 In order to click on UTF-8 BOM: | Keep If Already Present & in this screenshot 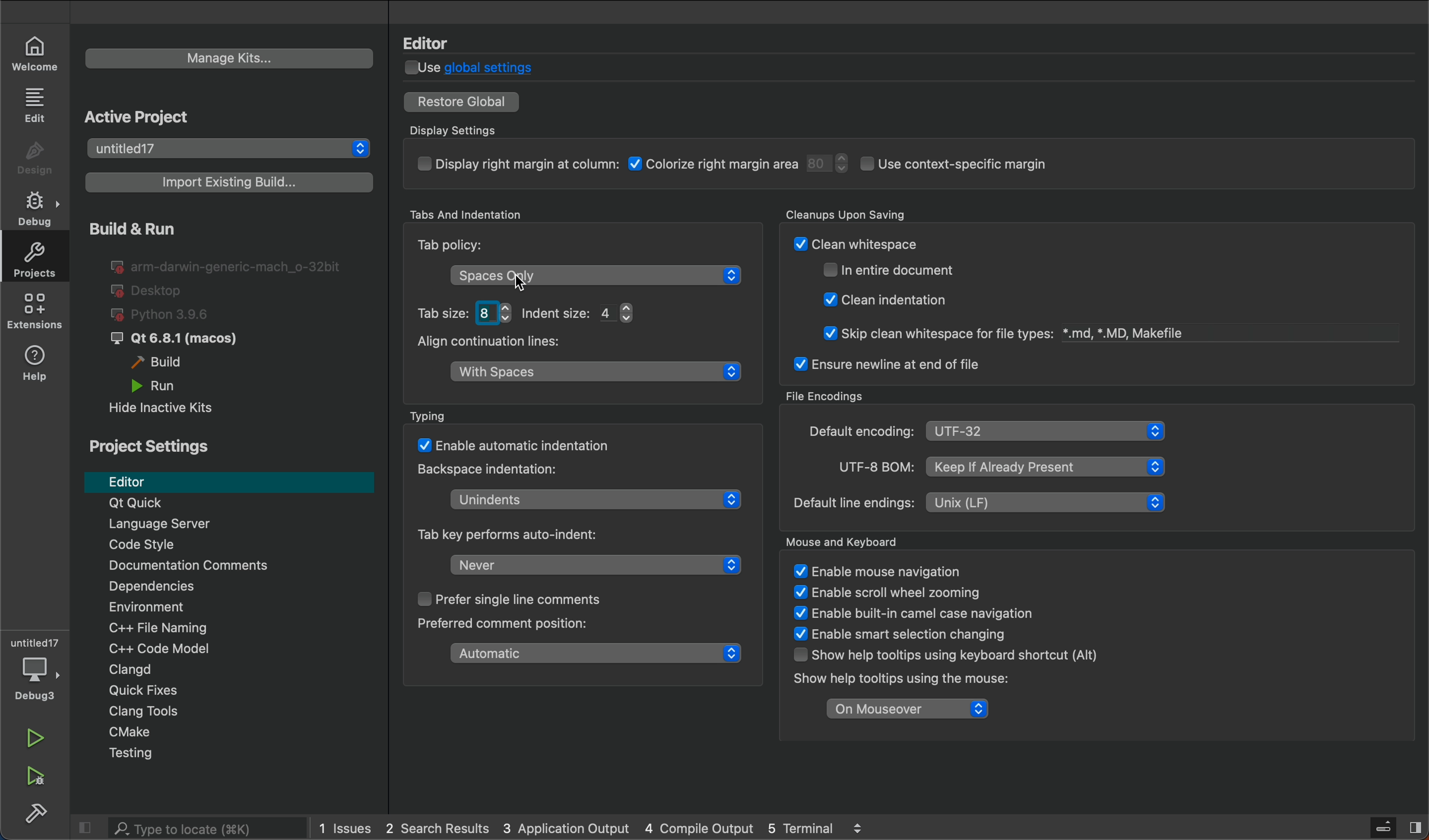, I will do `click(989, 465)`.